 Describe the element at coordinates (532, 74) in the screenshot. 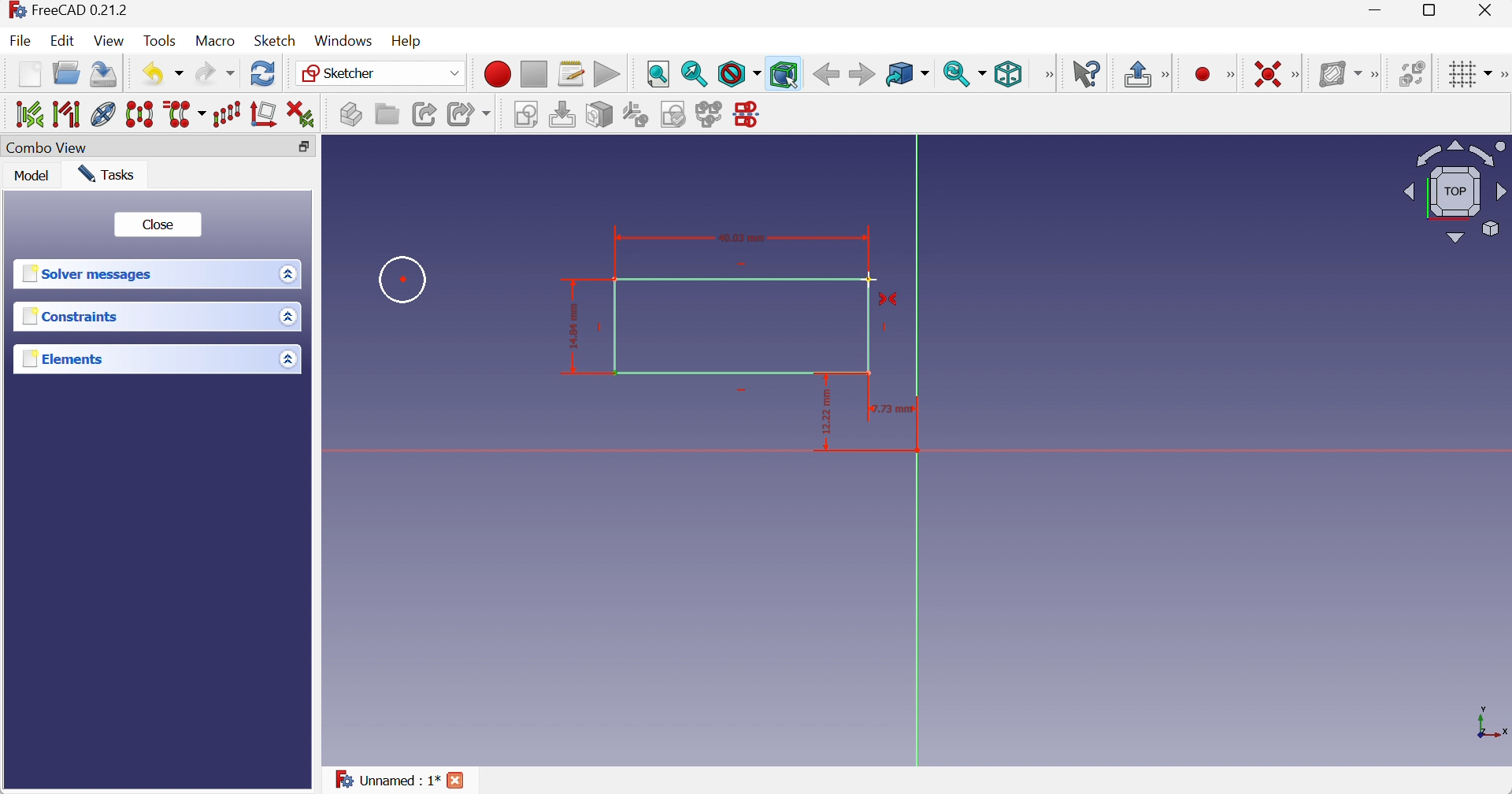

I see `Stop macro recording` at that location.